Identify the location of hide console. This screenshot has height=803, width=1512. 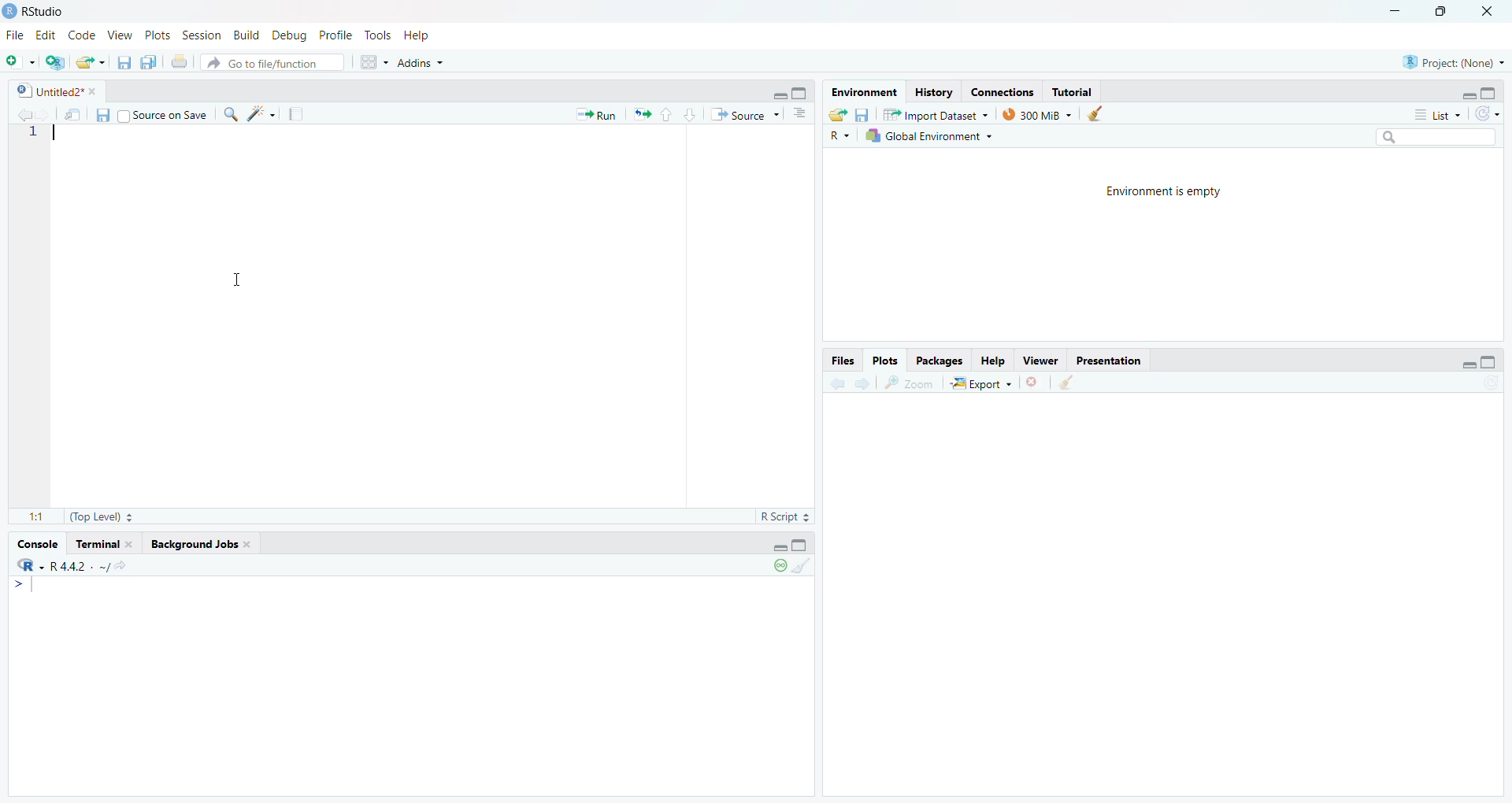
(1488, 362).